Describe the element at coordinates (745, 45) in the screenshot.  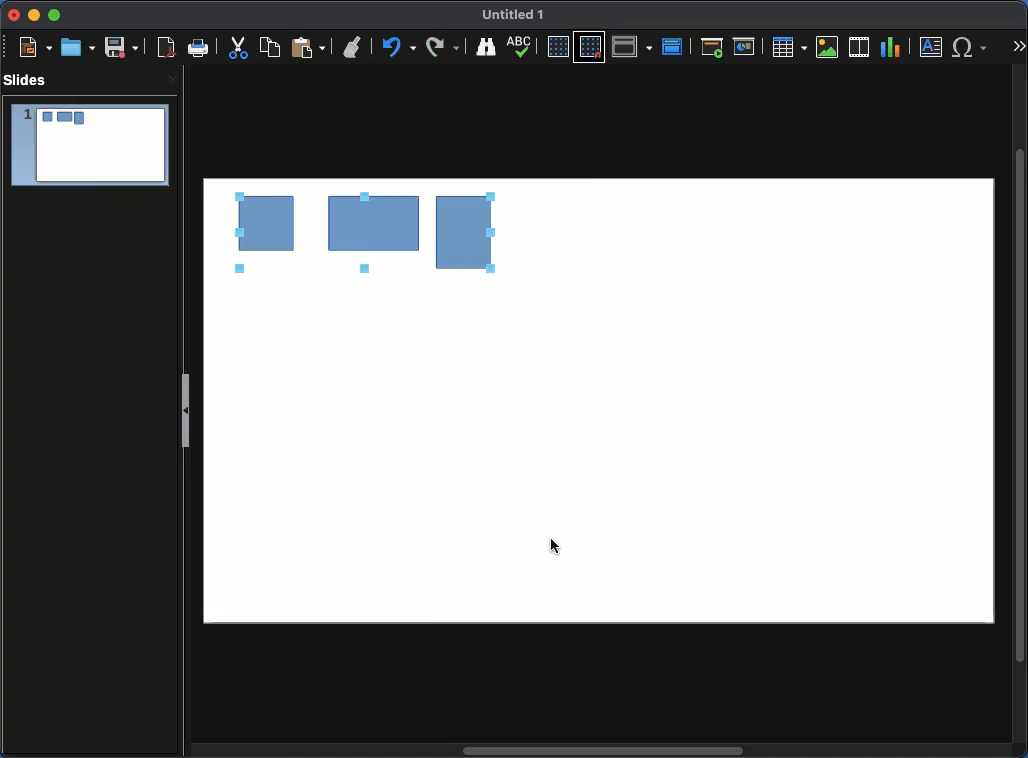
I see `Start from current slide` at that location.